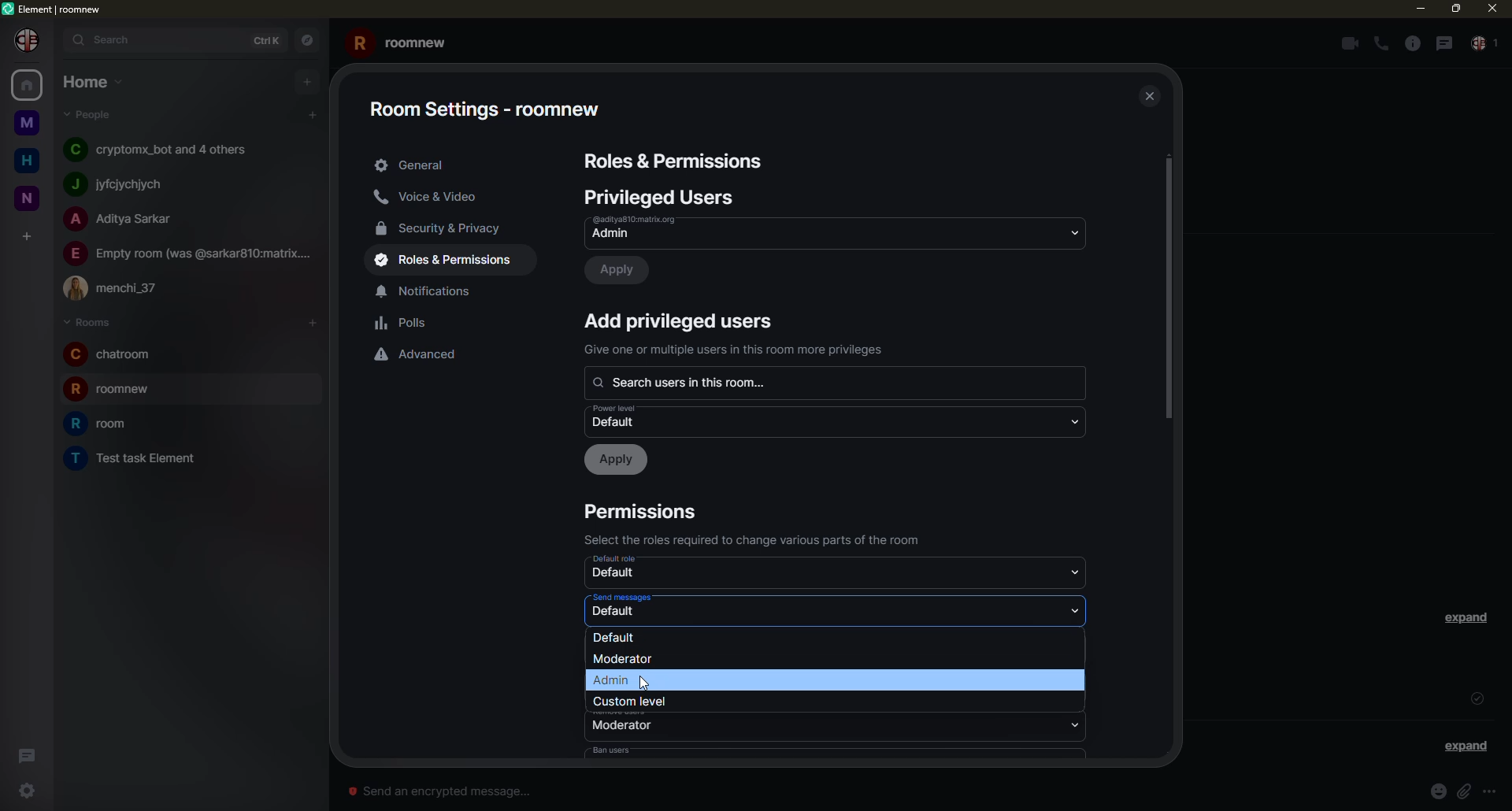 This screenshot has width=1512, height=811. What do you see at coordinates (760, 539) in the screenshot?
I see `select the roles required` at bounding box center [760, 539].